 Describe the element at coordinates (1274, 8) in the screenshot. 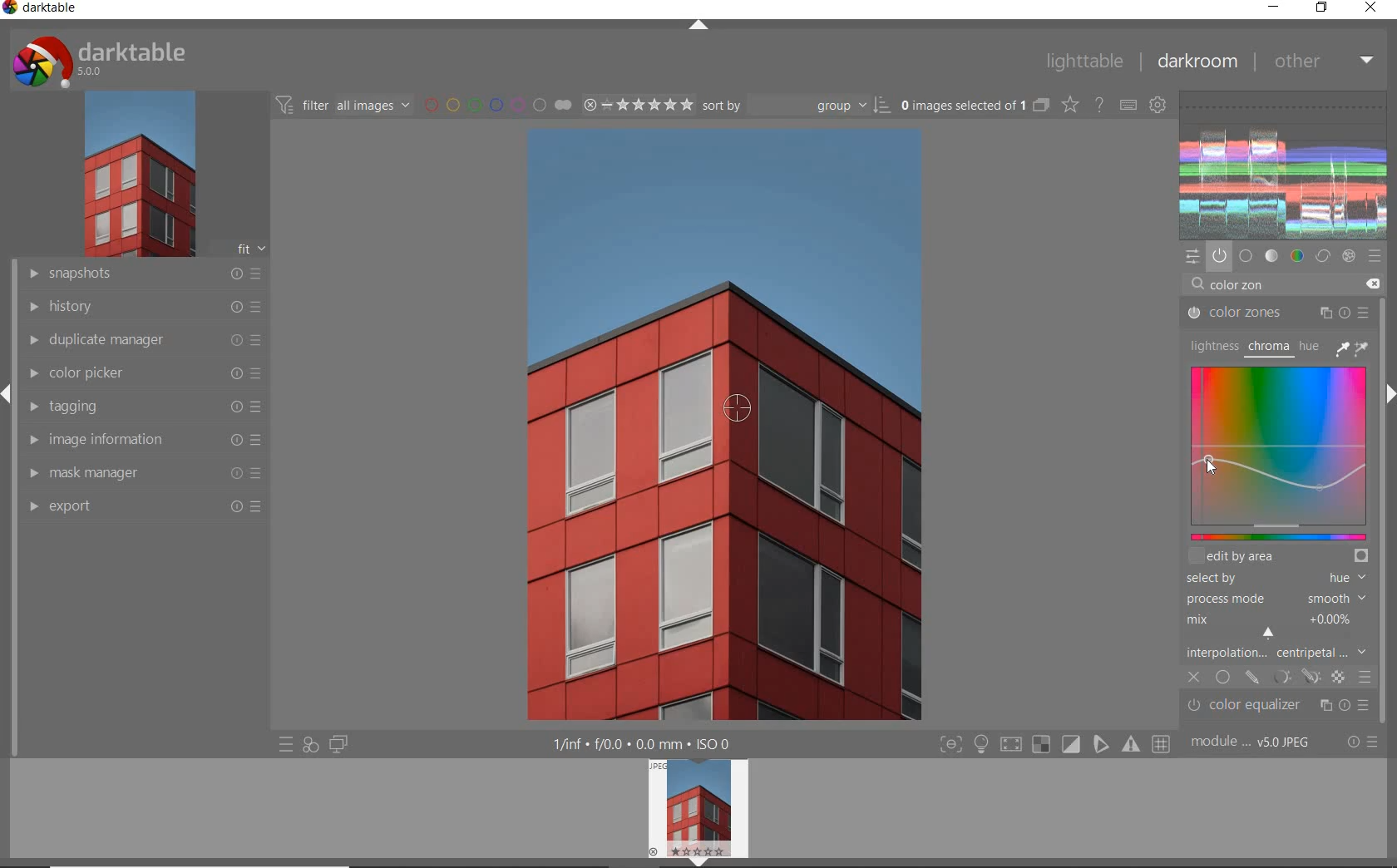

I see `minimize` at that location.